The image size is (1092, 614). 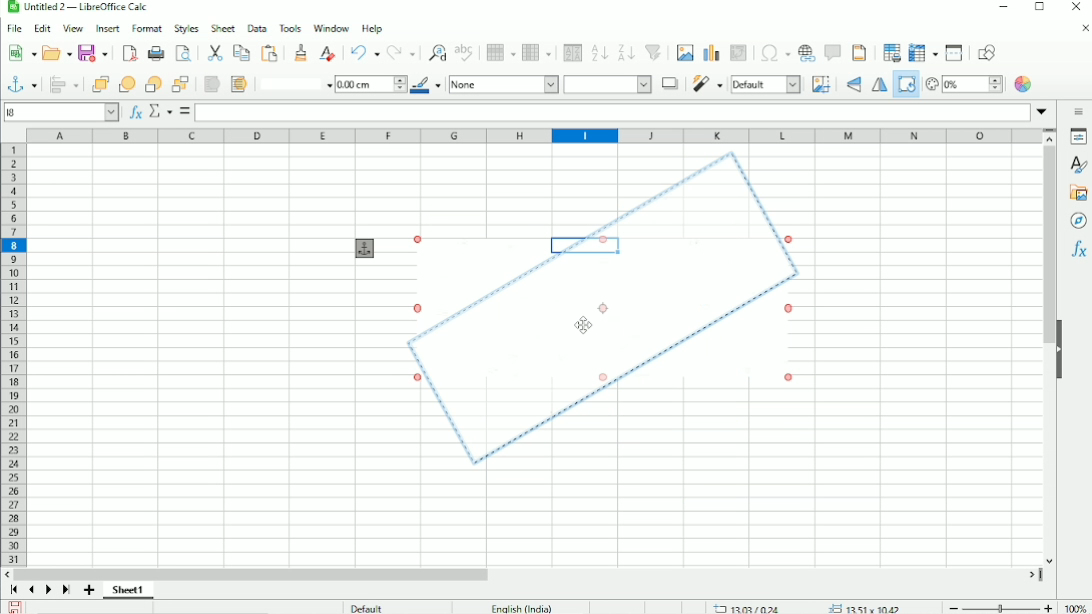 What do you see at coordinates (987, 52) in the screenshot?
I see `Show draw functions` at bounding box center [987, 52].